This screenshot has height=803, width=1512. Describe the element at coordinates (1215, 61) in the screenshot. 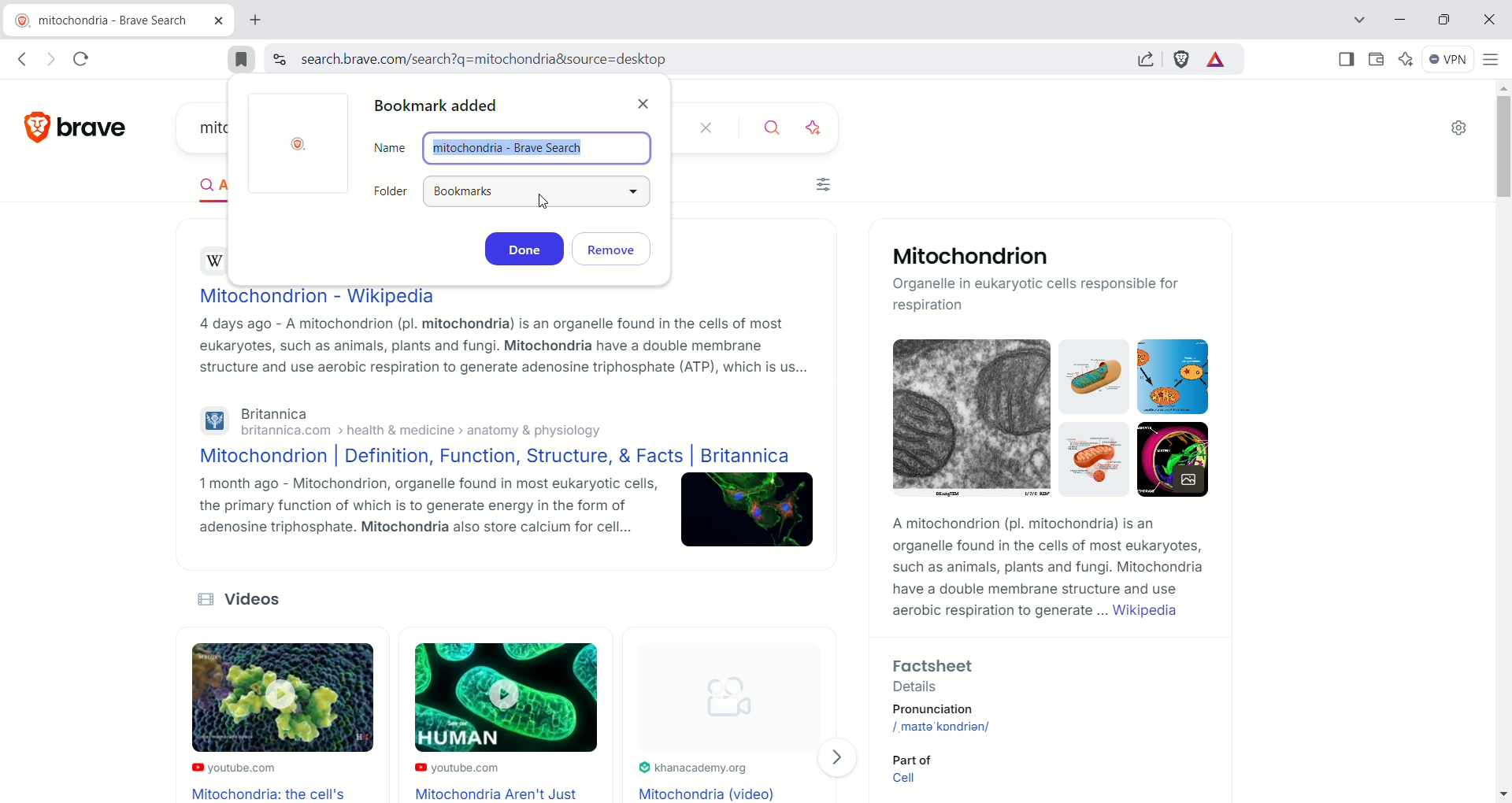

I see `rewards` at that location.